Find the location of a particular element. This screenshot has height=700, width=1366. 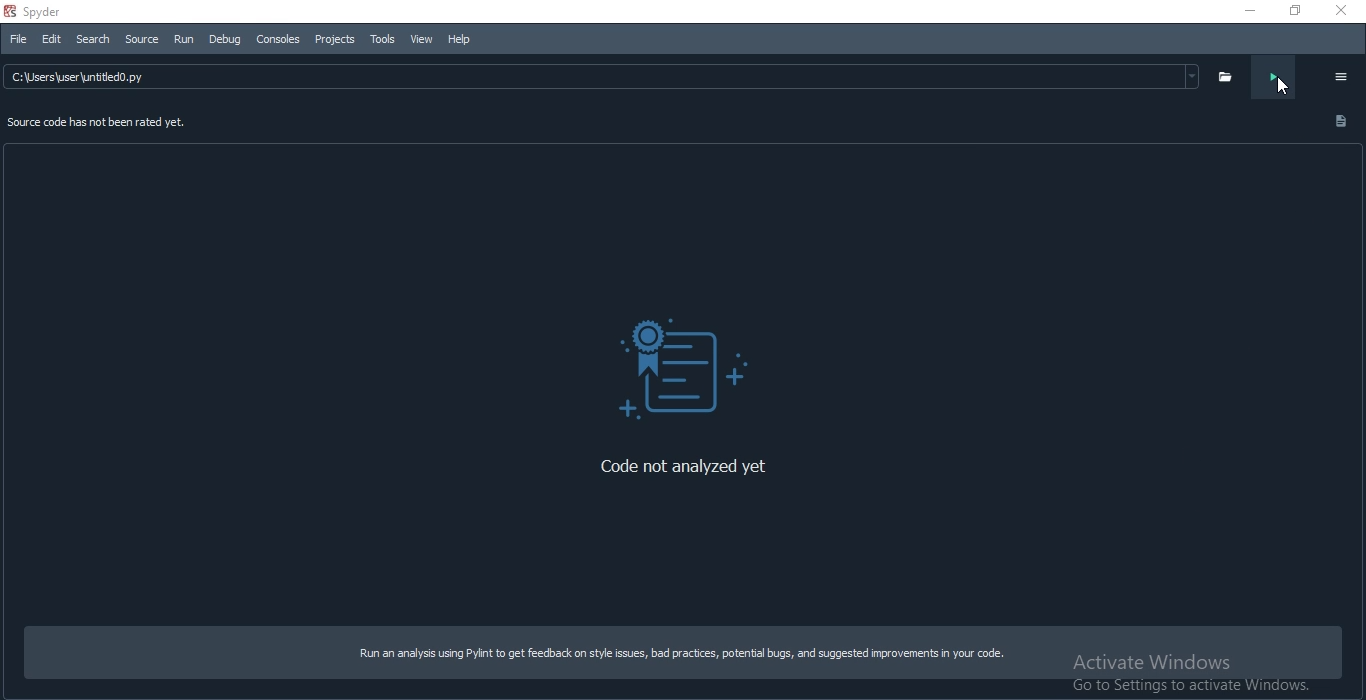

analyse is located at coordinates (1279, 78).